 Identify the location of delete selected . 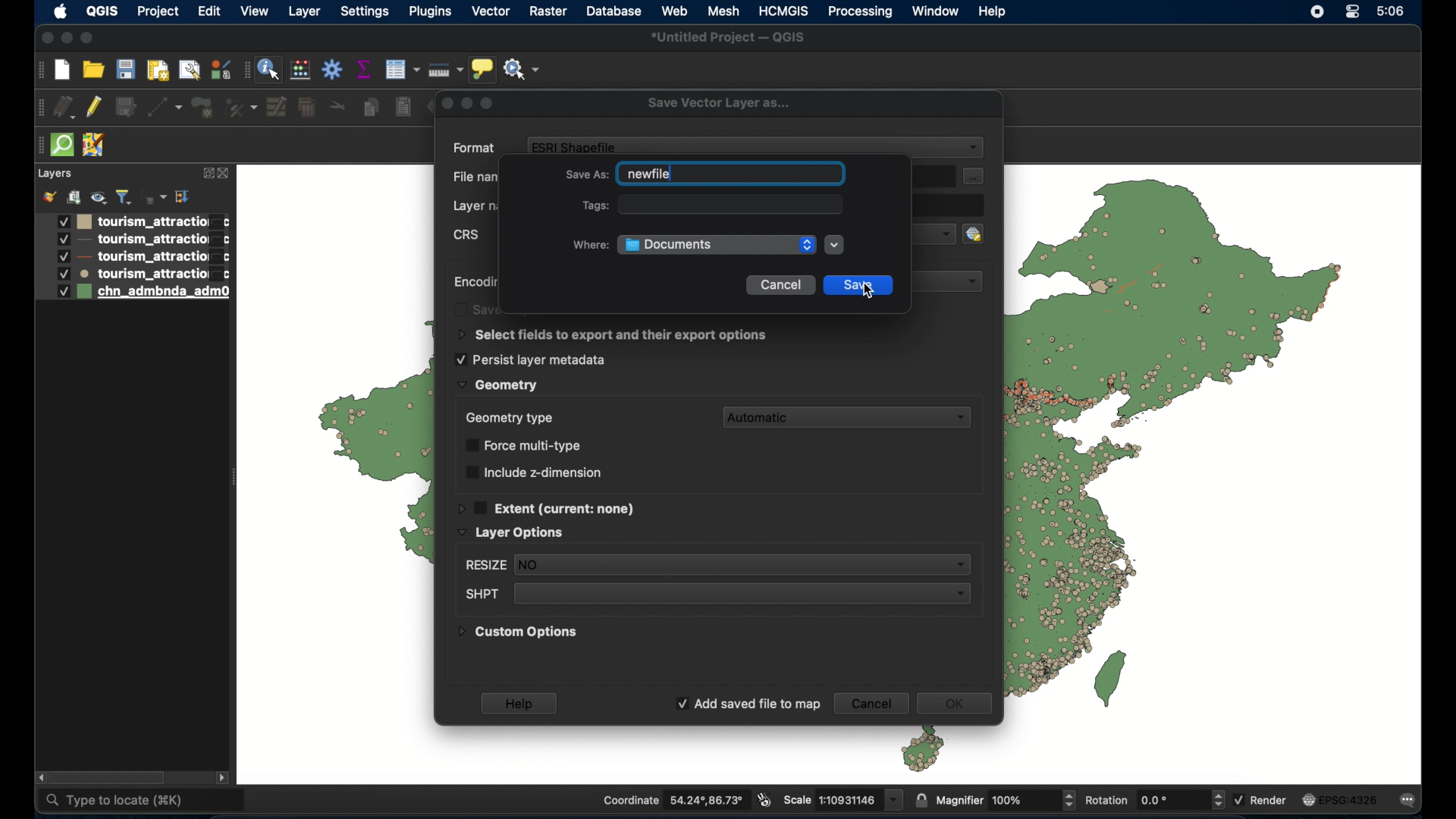
(306, 108).